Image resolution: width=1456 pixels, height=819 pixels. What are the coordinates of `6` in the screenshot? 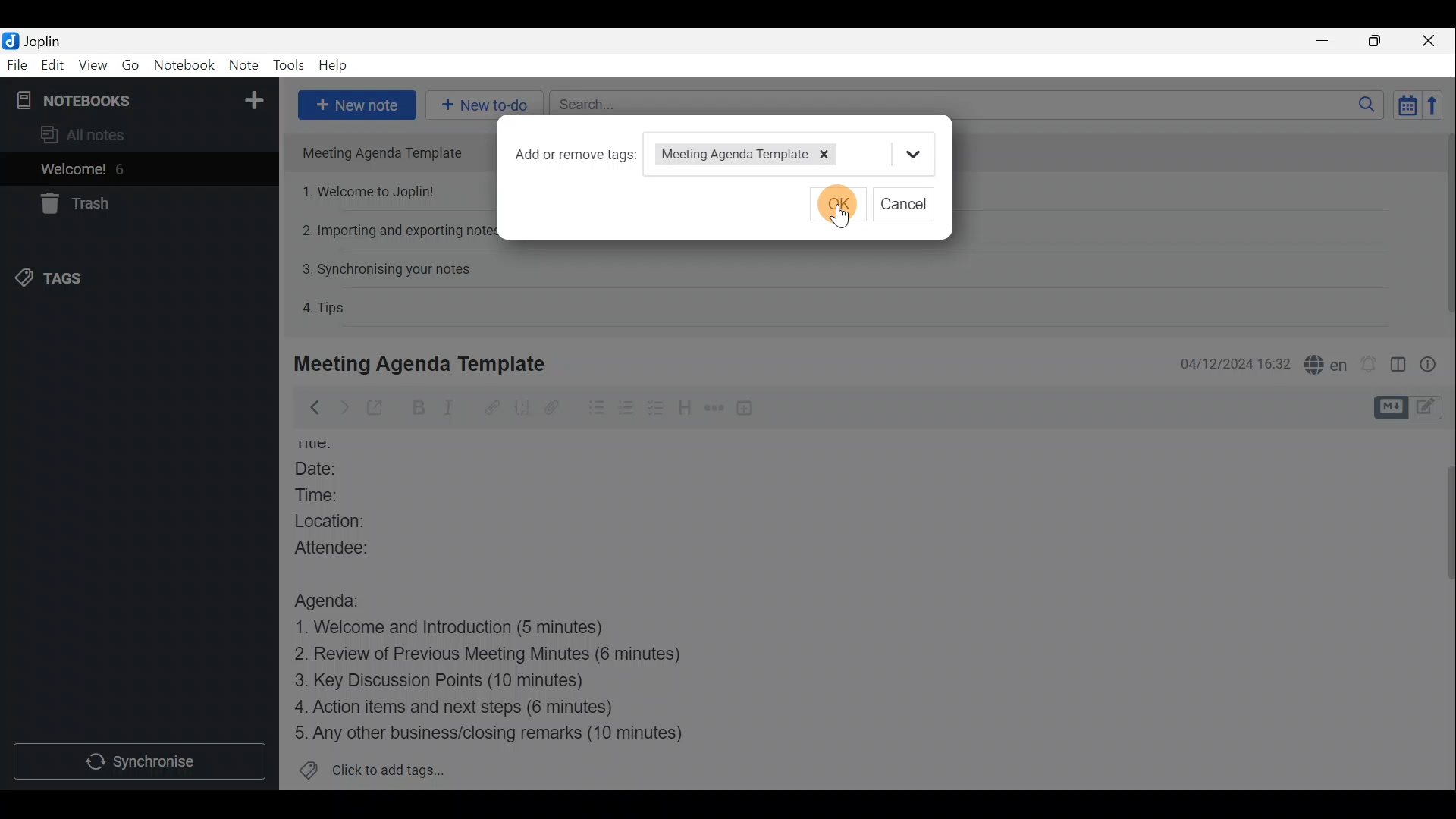 It's located at (124, 169).